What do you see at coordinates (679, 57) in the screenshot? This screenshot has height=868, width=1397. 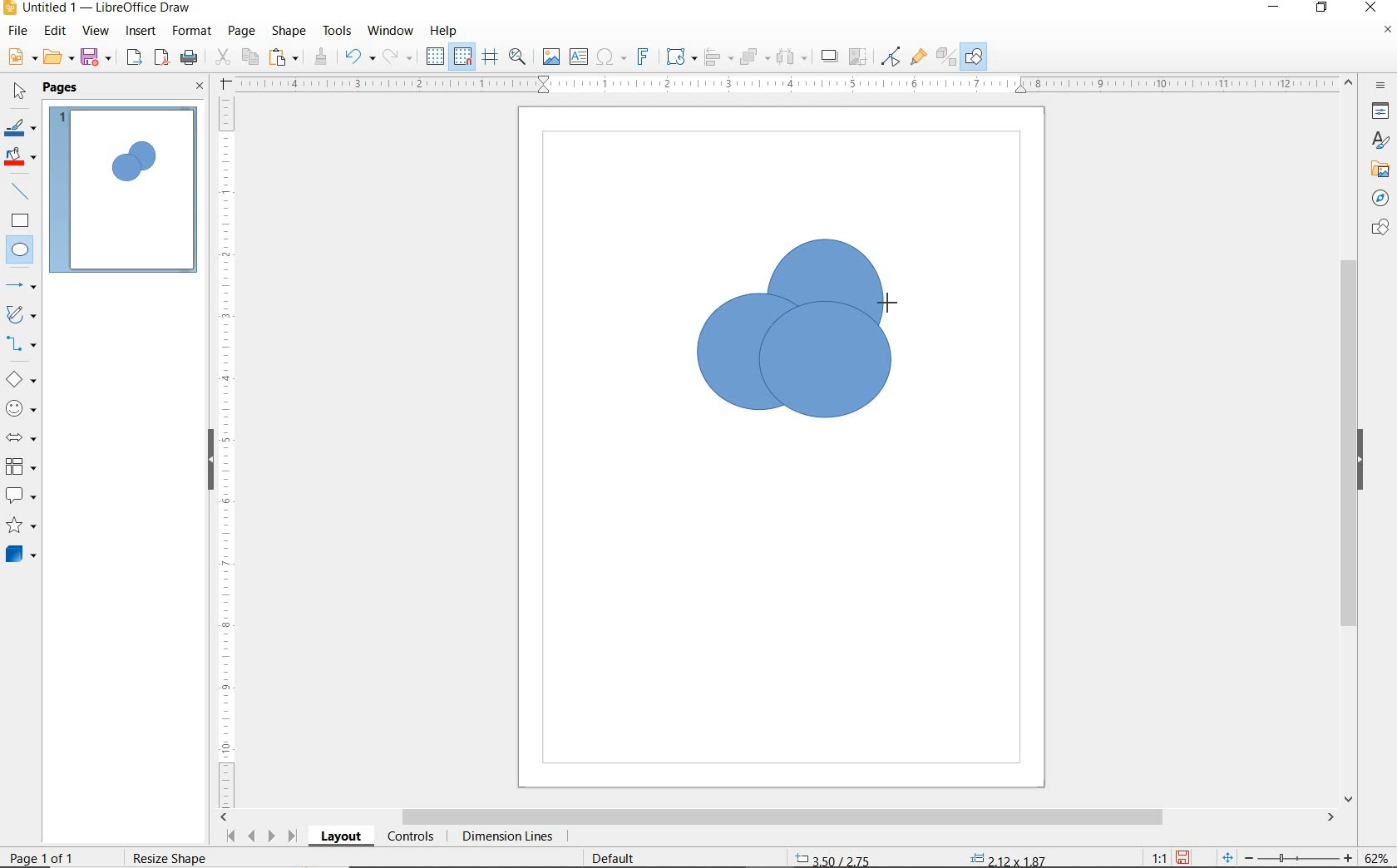 I see `TRANSFORMATIONS` at bounding box center [679, 57].